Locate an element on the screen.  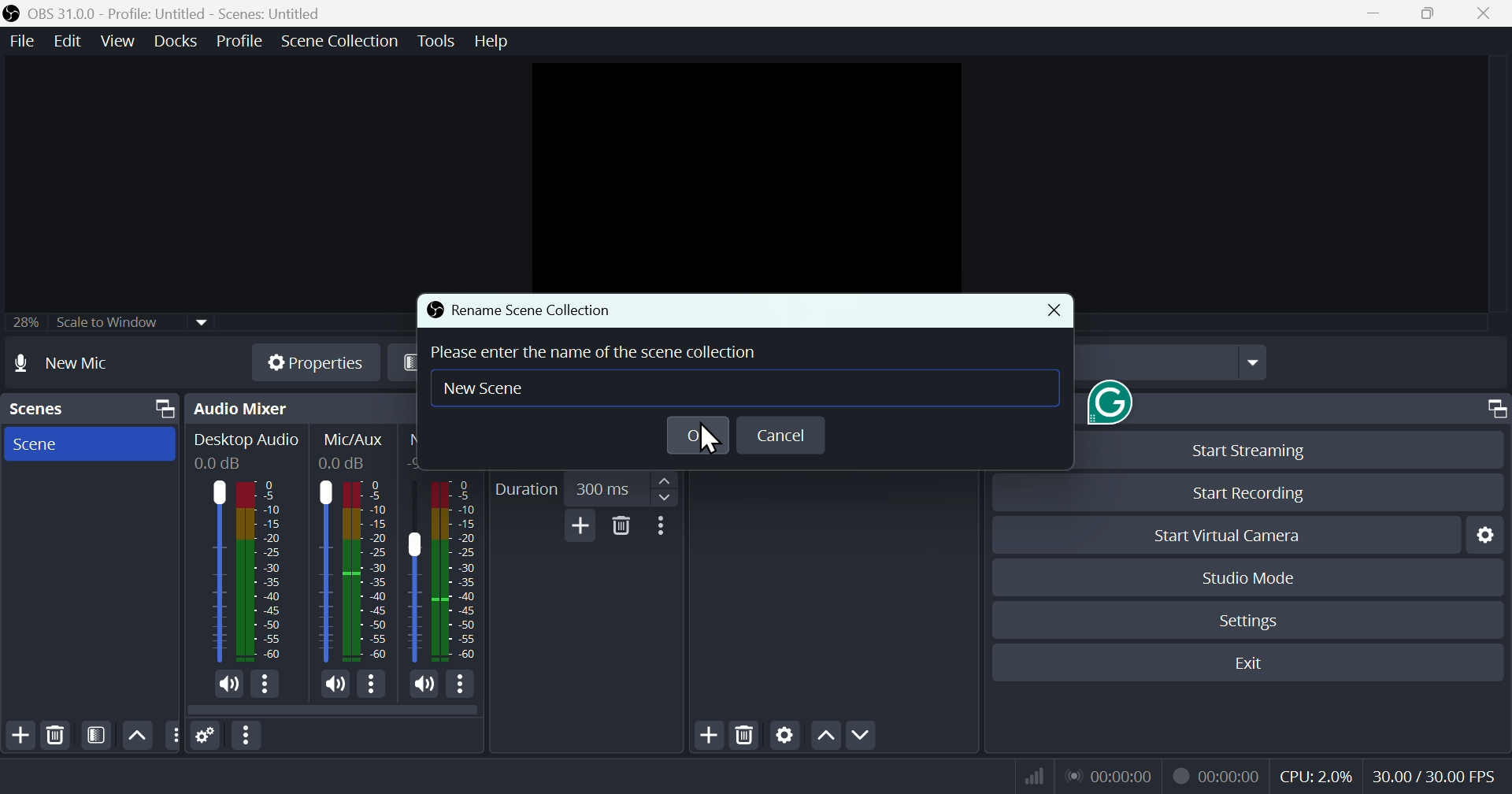
obs studio icon is located at coordinates (15, 13).